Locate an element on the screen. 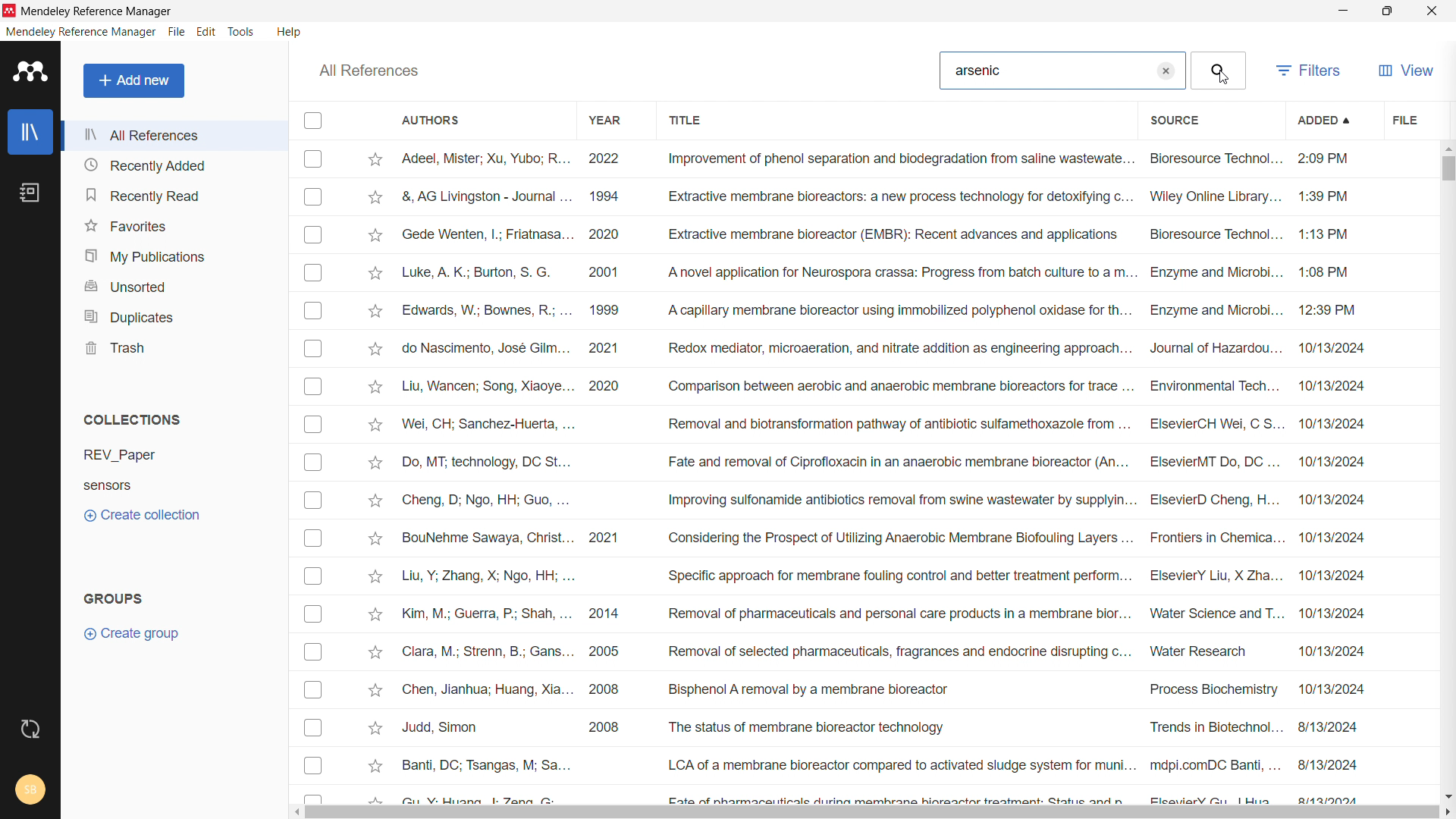  Checkbox is located at coordinates (314, 654).